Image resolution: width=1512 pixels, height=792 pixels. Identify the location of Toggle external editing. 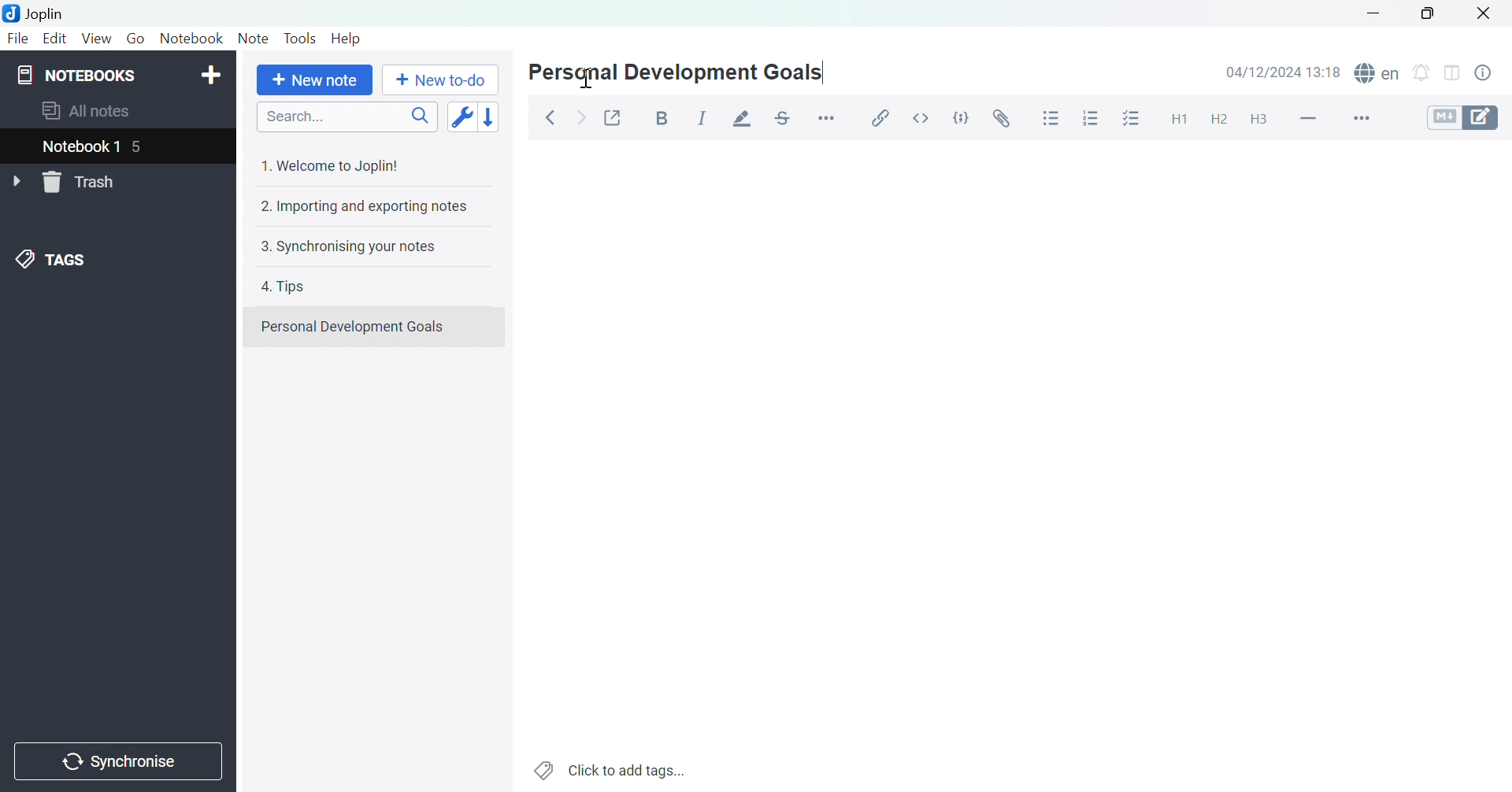
(613, 117).